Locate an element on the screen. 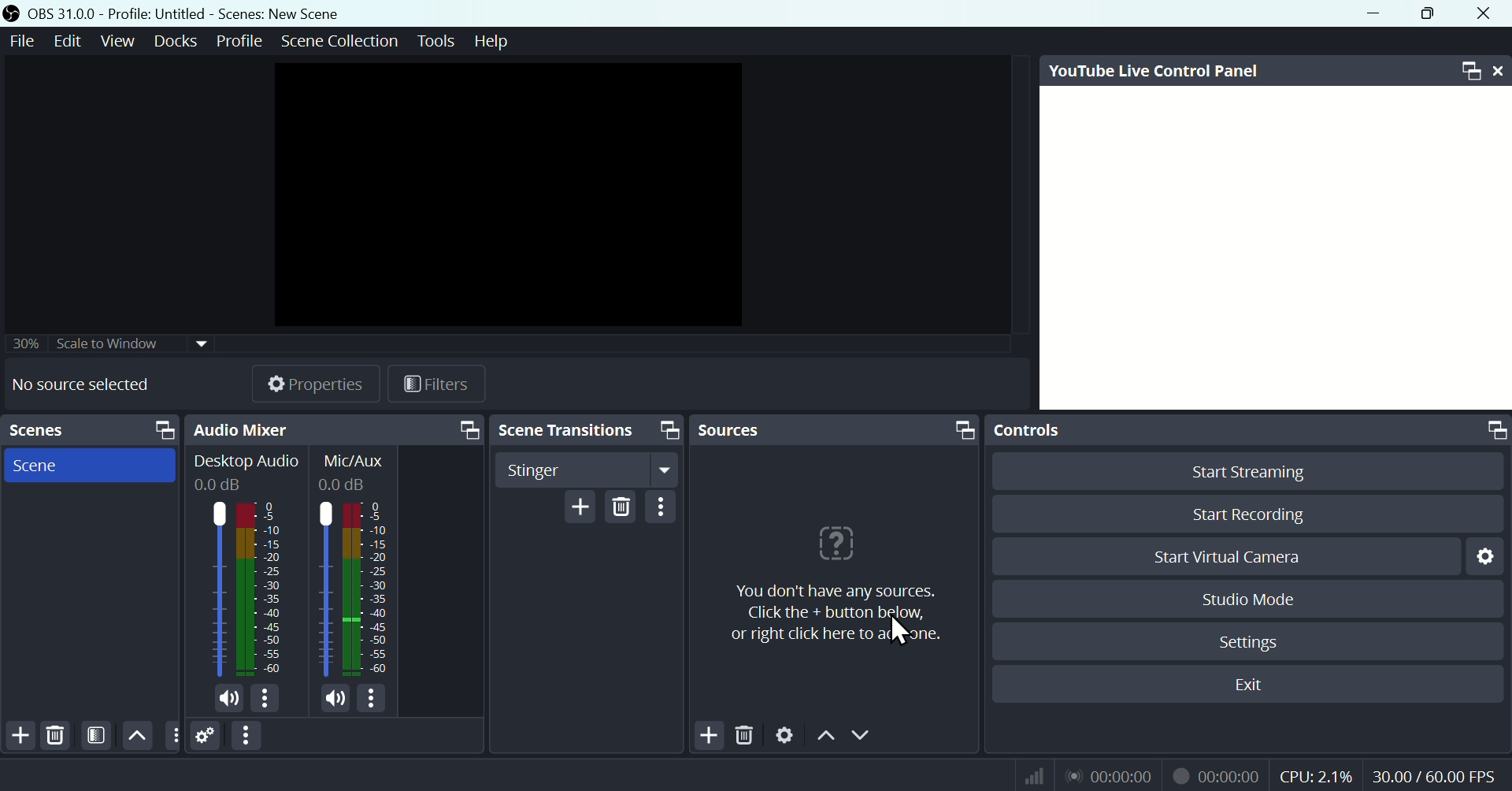 This screenshot has height=791, width=1512. sources is located at coordinates (750, 429).